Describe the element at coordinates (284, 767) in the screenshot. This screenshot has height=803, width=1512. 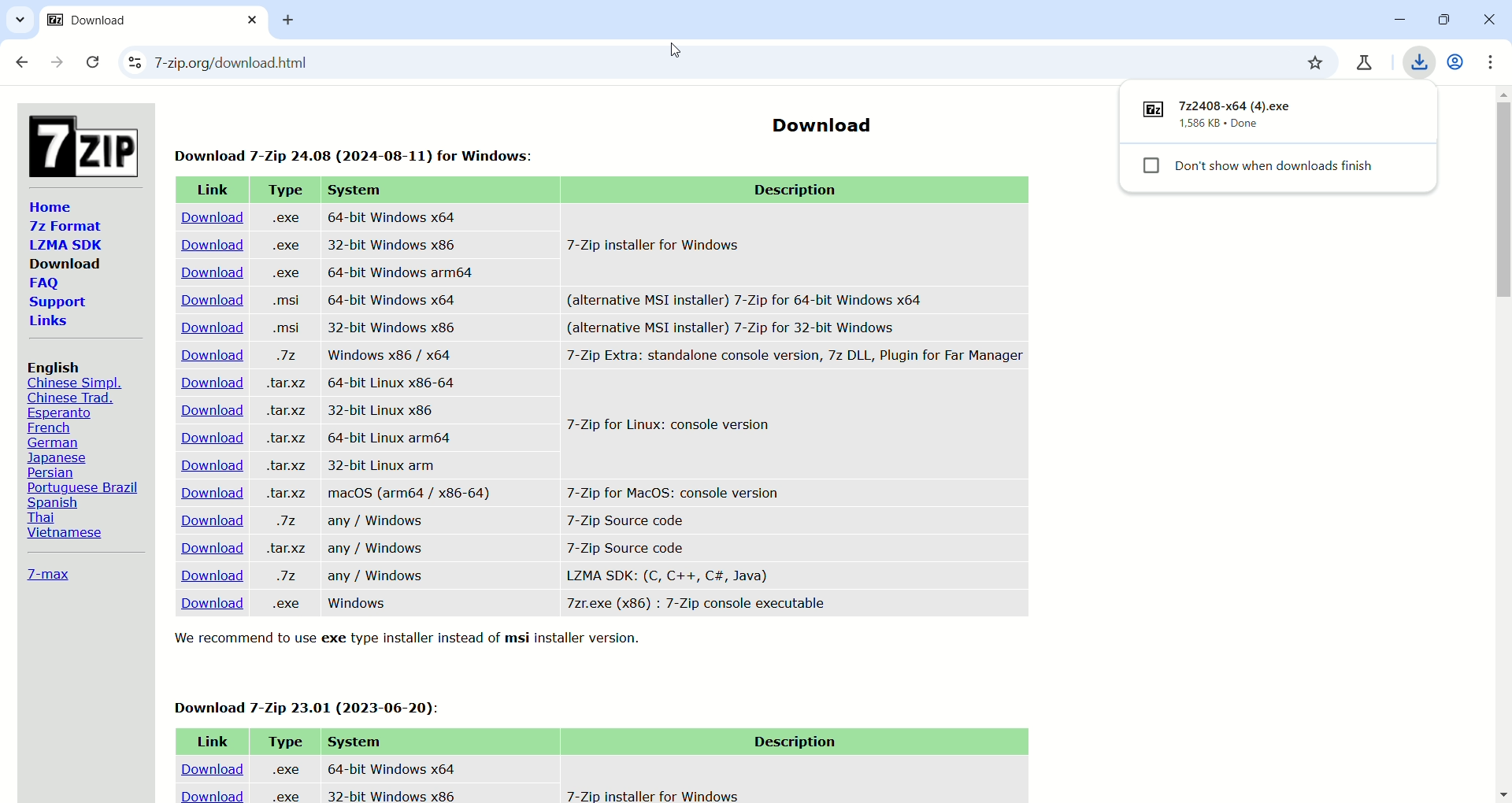
I see `.exe` at that location.